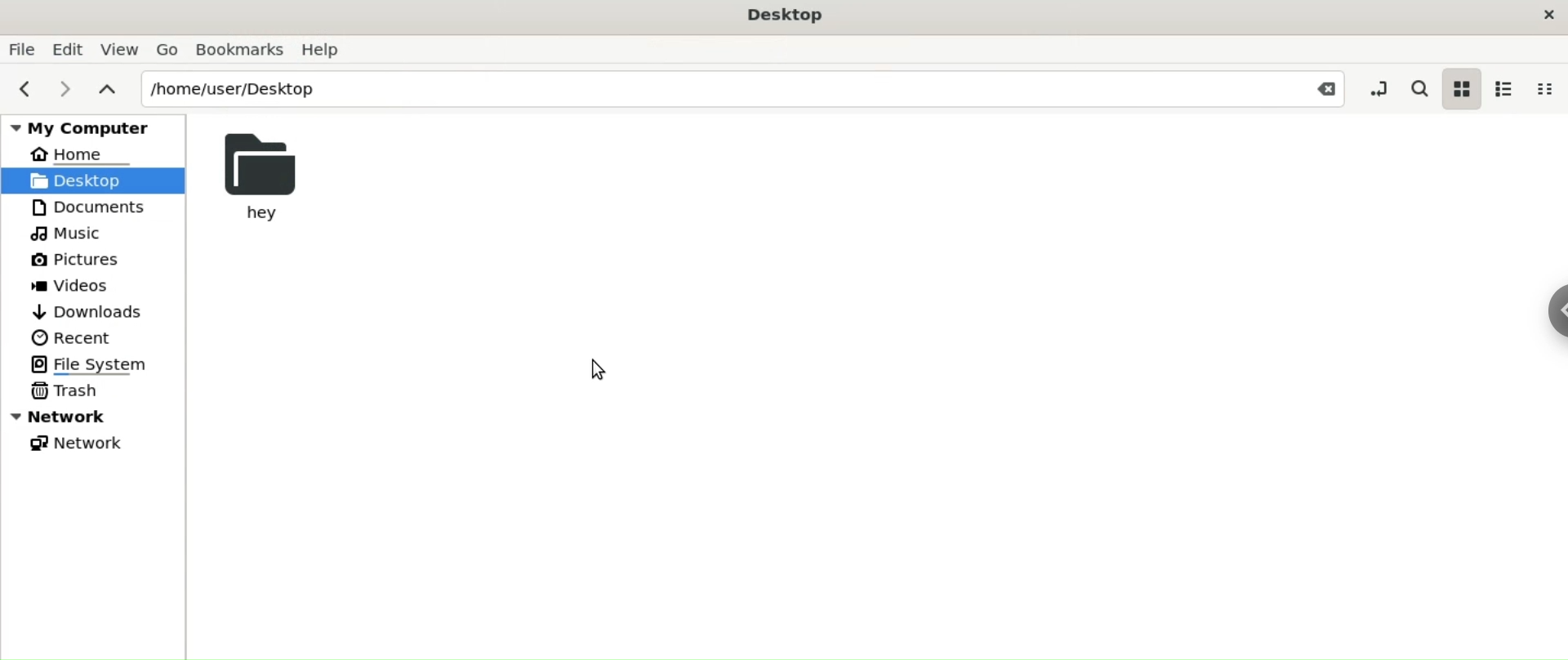  I want to click on /home/user/Desktop, so click(712, 87).